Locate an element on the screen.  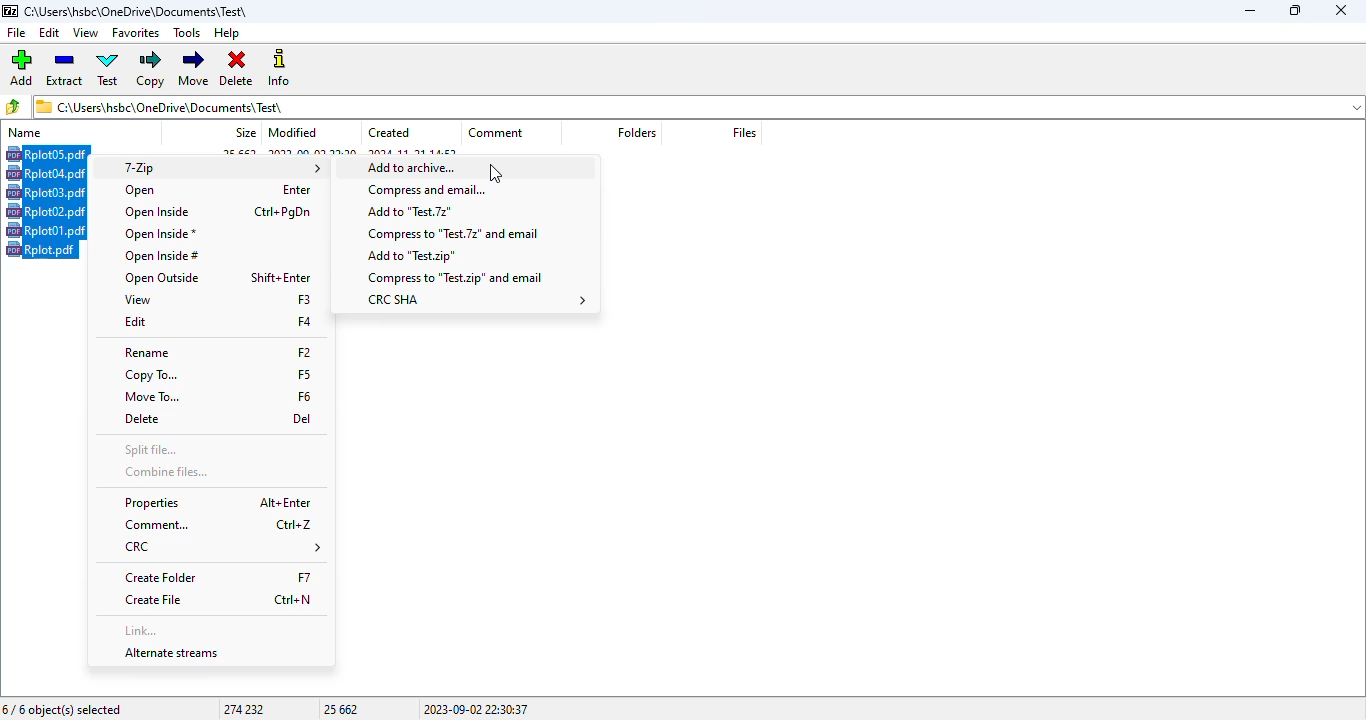
cursor is located at coordinates (495, 174).